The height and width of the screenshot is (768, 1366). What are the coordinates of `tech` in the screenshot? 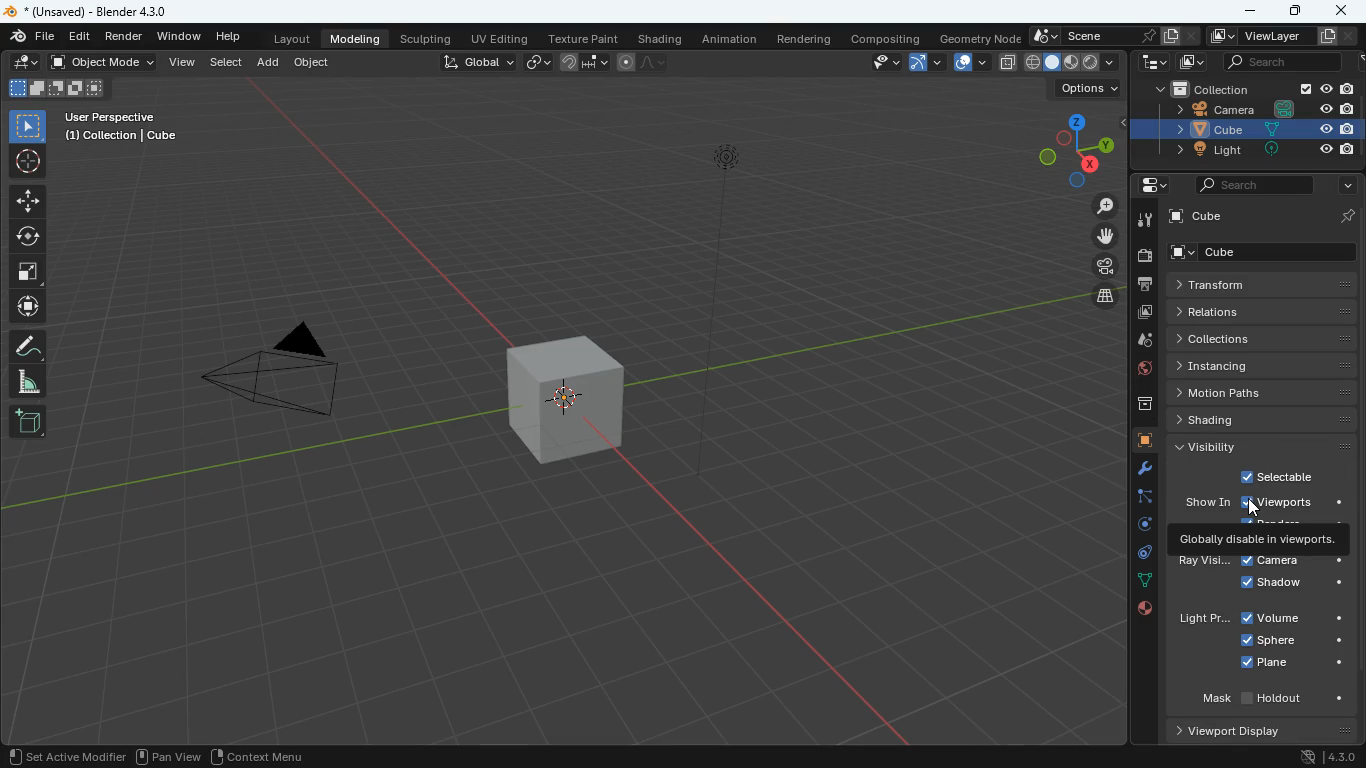 It's located at (1149, 63).